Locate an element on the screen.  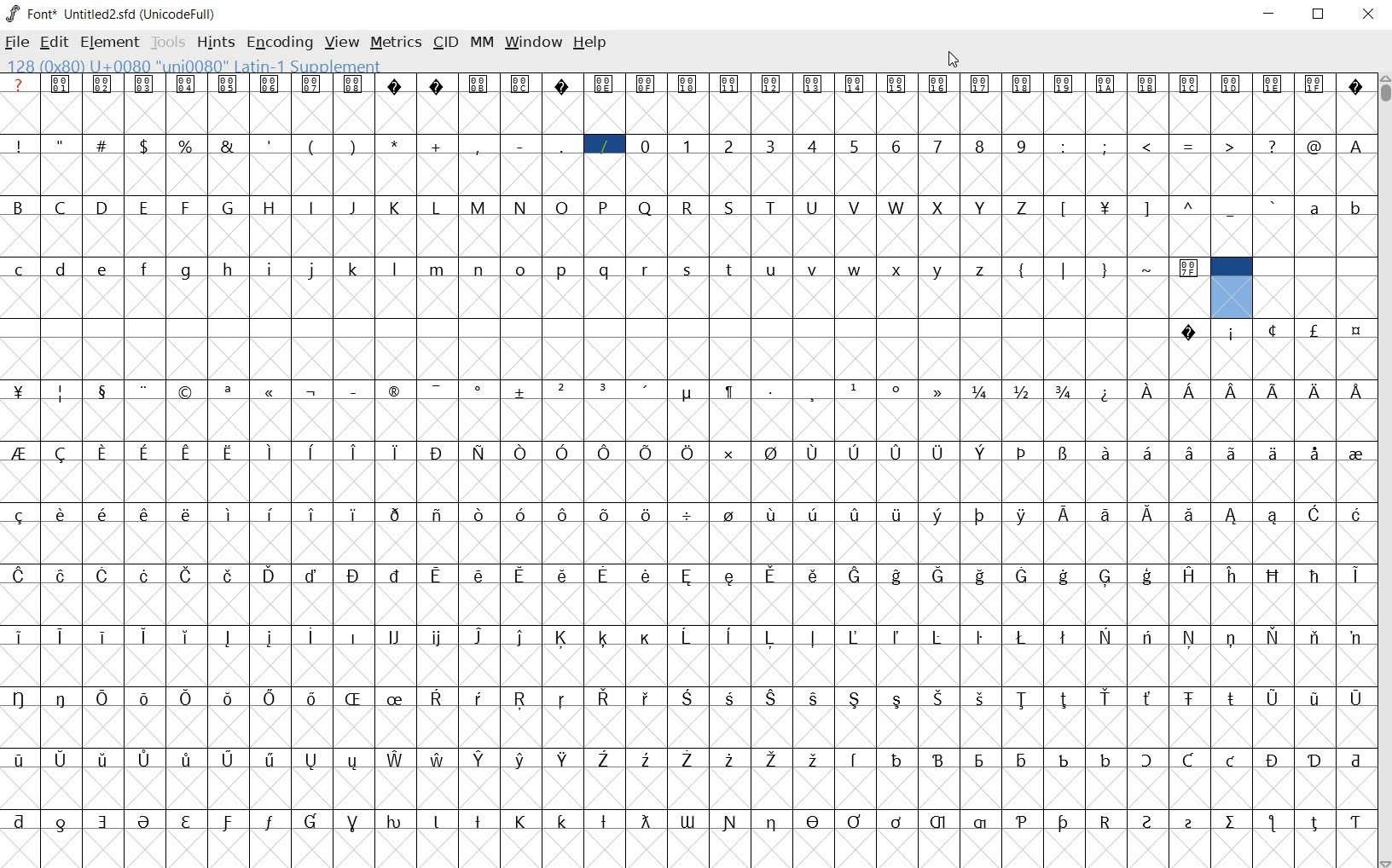
Symbol is located at coordinates (351, 636).